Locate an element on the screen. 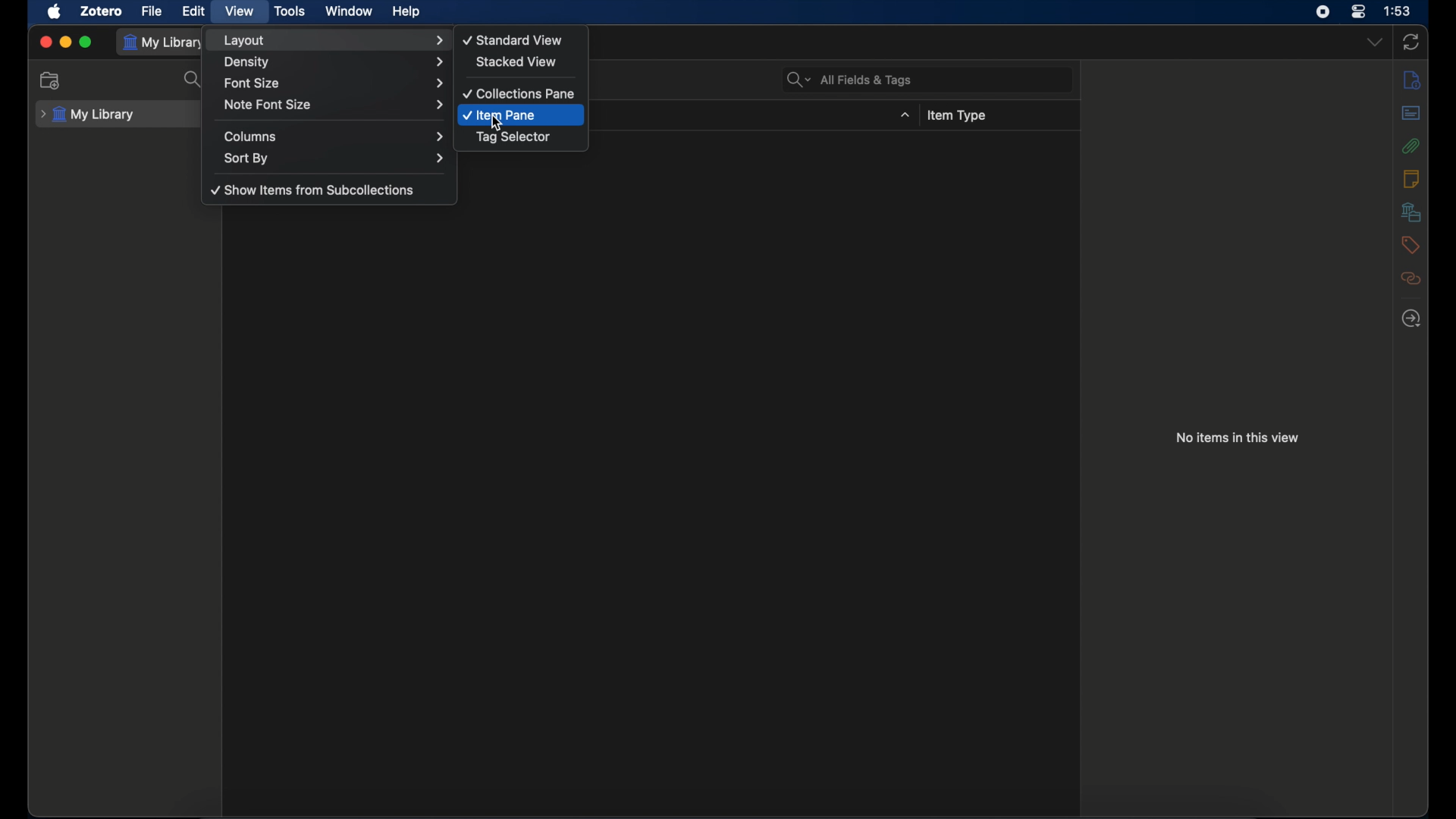  abstract is located at coordinates (1411, 112).